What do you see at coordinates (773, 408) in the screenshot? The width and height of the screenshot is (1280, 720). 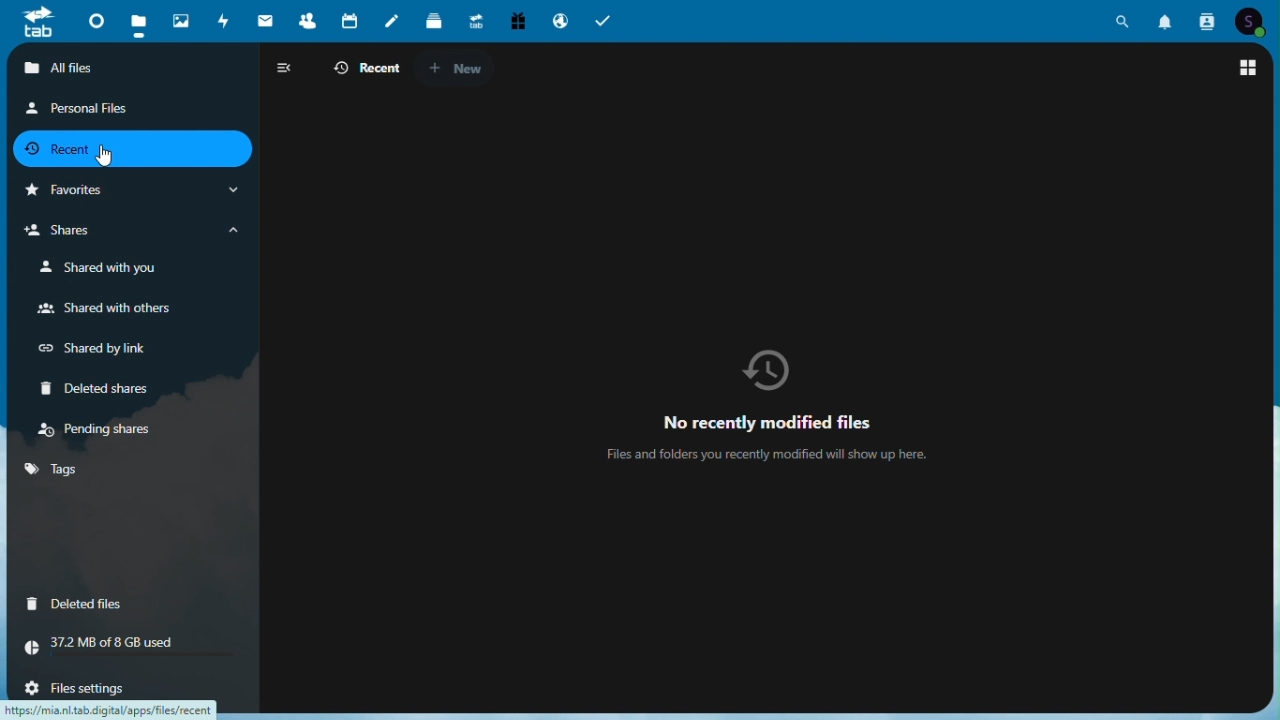 I see `Default background text new` at bounding box center [773, 408].